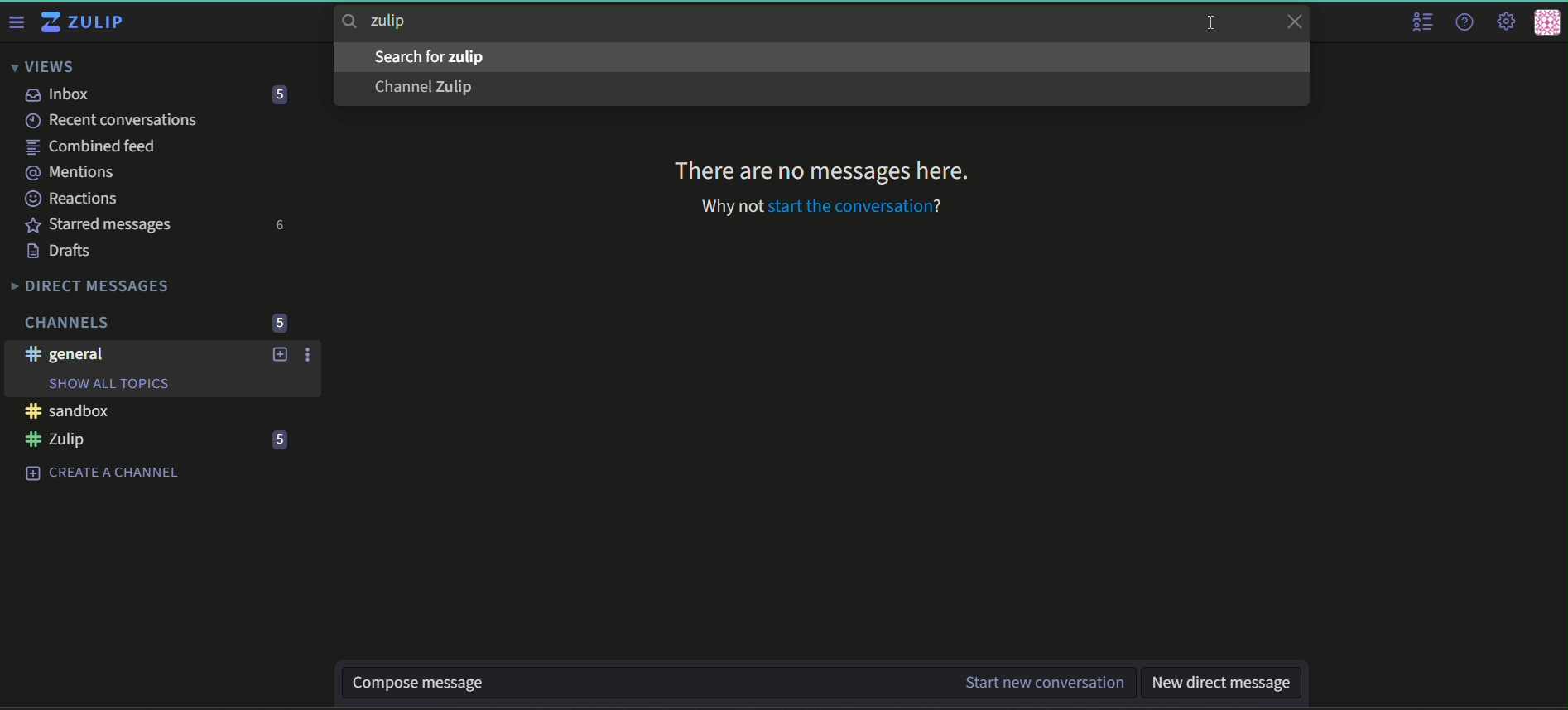 Image resolution: width=1568 pixels, height=710 pixels. What do you see at coordinates (66, 411) in the screenshot?
I see `#sandbox` at bounding box center [66, 411].